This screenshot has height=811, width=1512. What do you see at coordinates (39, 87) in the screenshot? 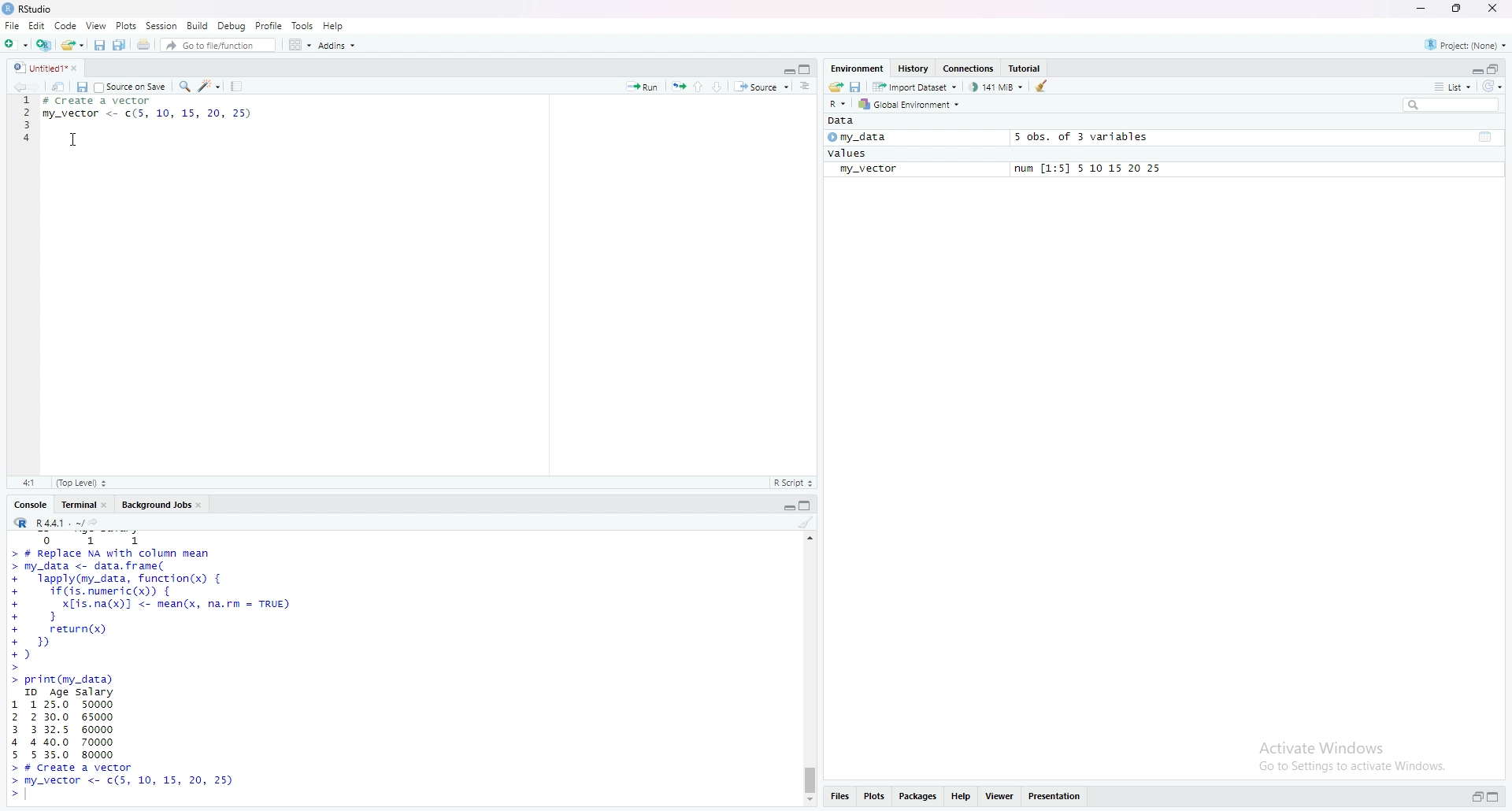
I see `go forward` at bounding box center [39, 87].